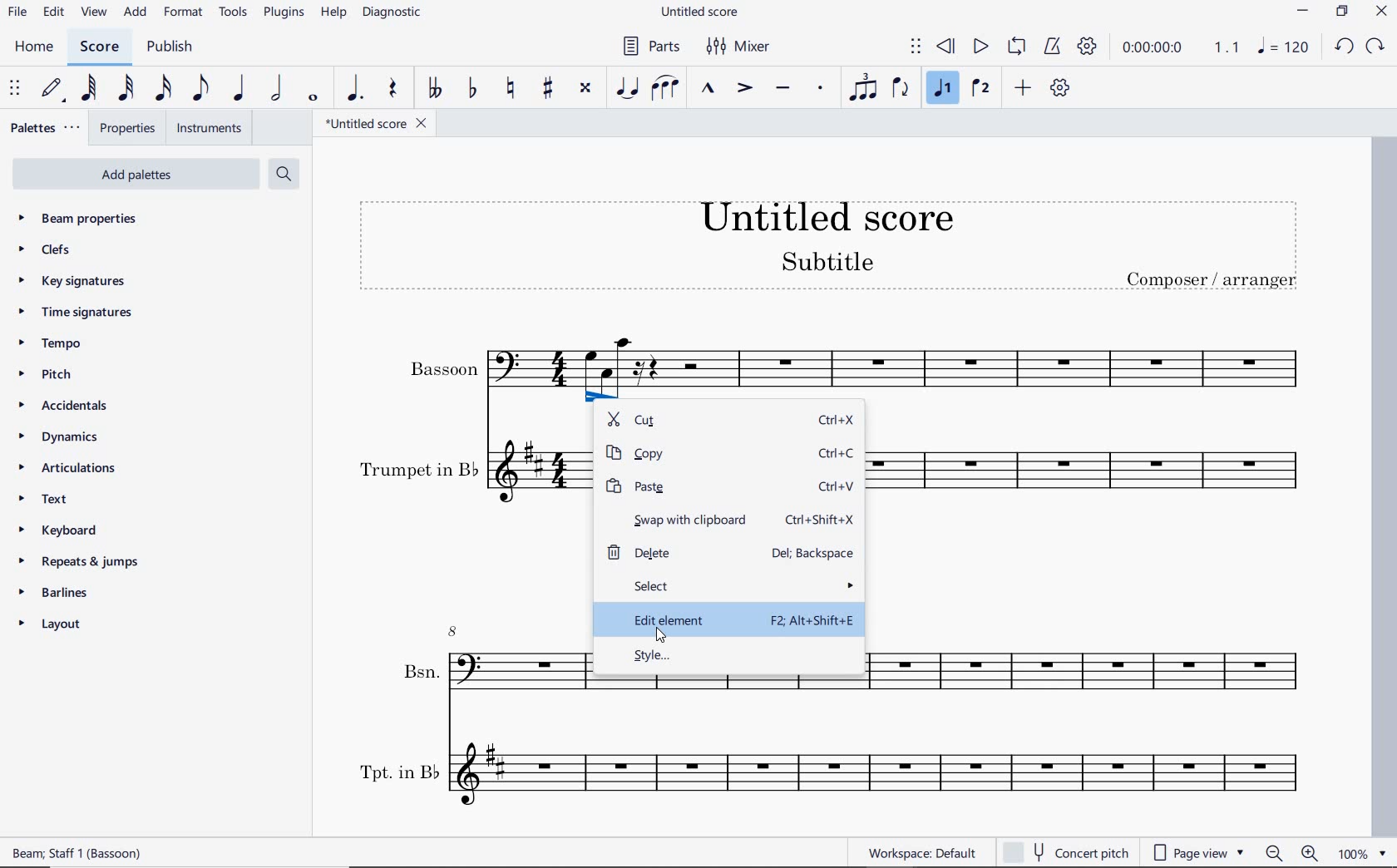 Image resolution: width=1397 pixels, height=868 pixels. I want to click on page view, so click(1197, 851).